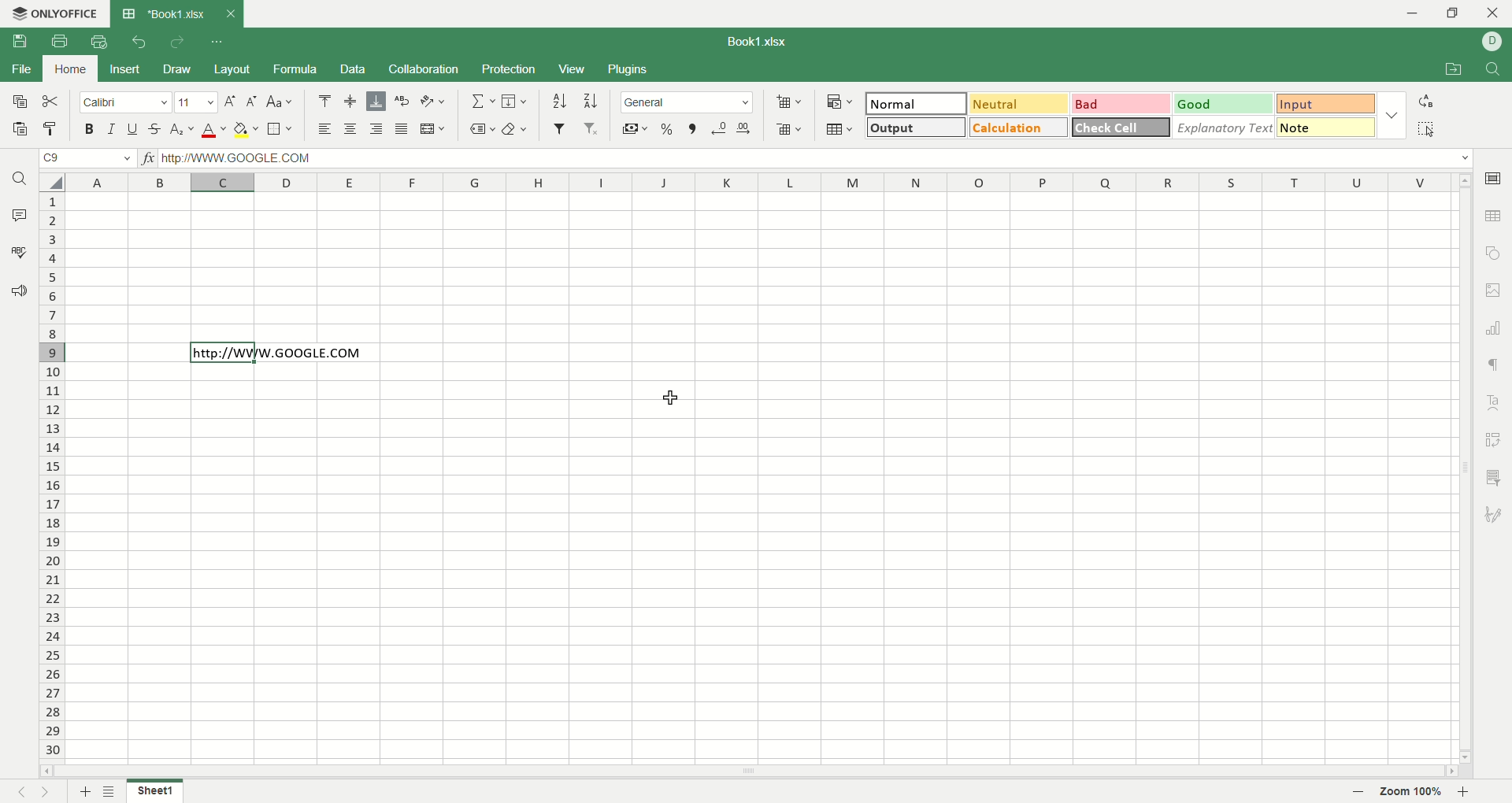  I want to click on active cell, so click(224, 353).